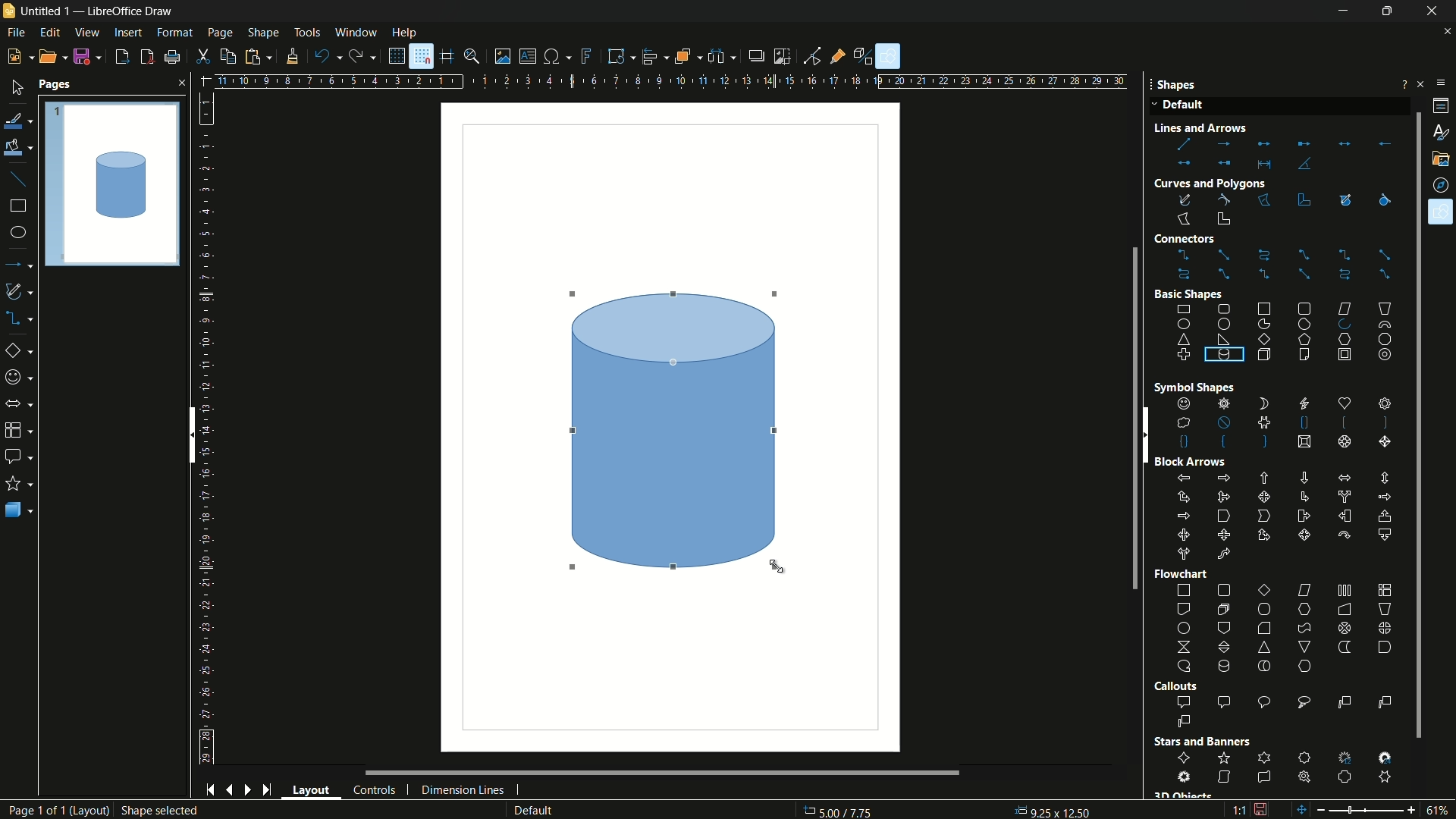  I want to click on shapes, so click(1441, 212).